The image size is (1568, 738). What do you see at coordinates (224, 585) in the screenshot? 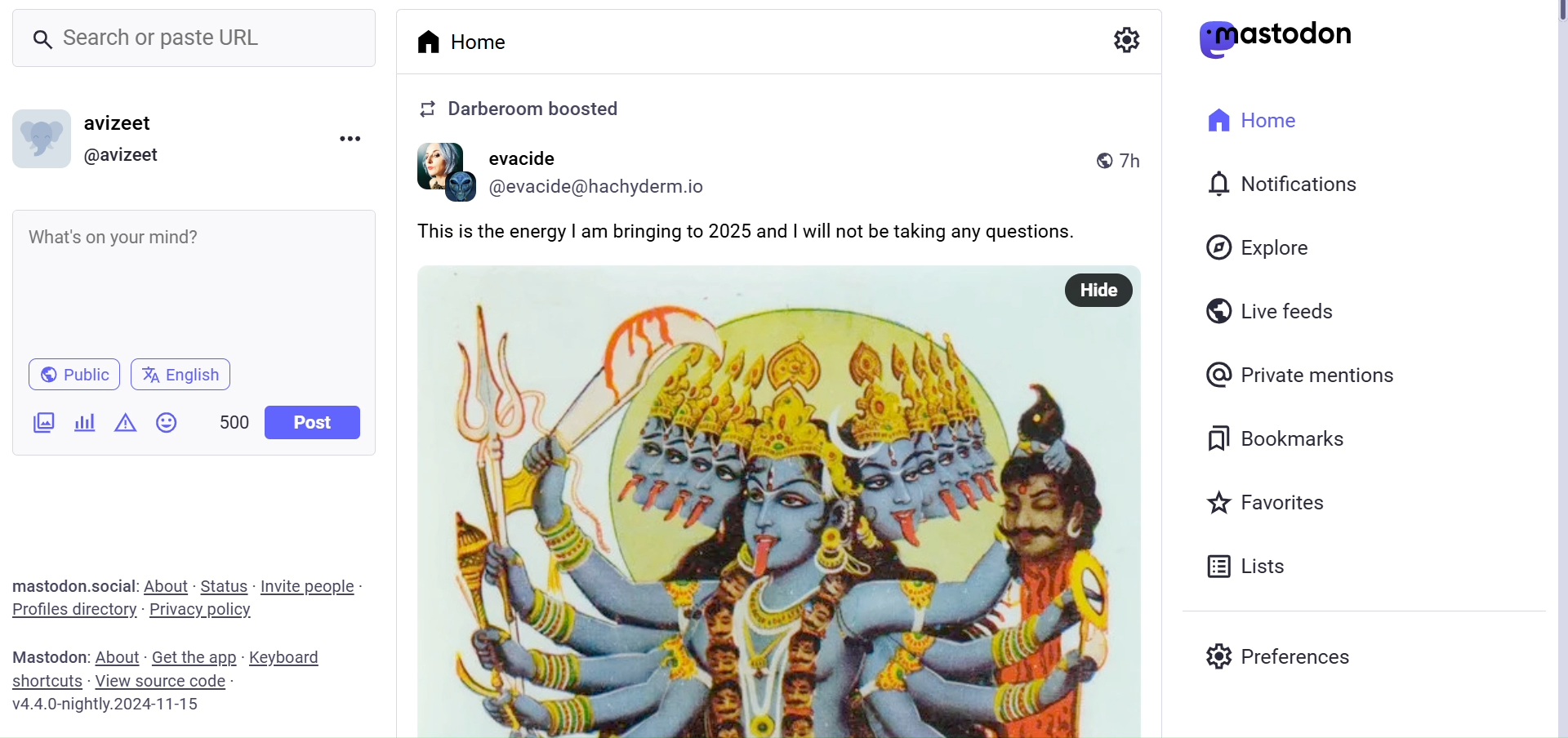
I see `Status` at bounding box center [224, 585].